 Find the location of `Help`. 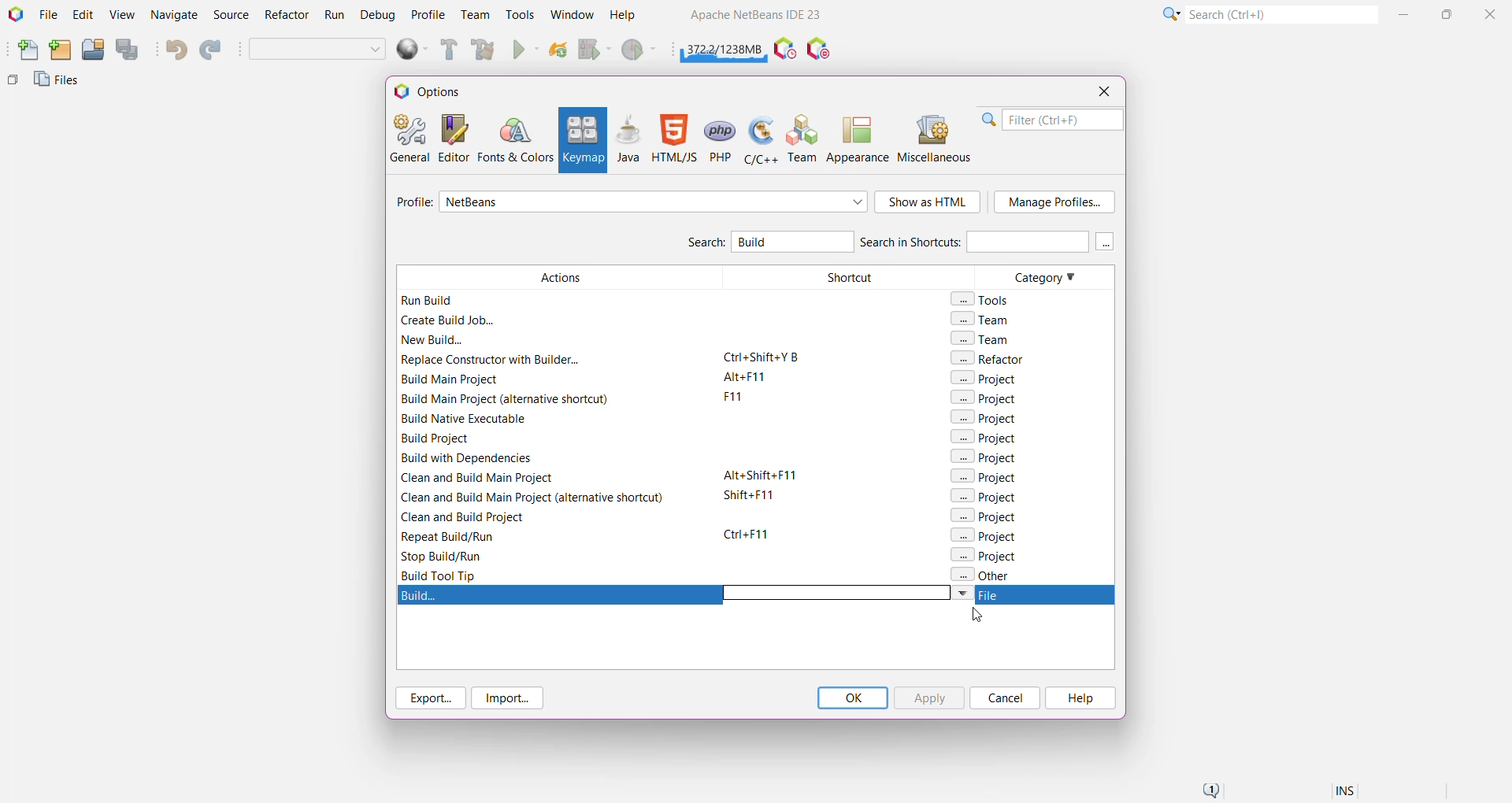

Help is located at coordinates (630, 17).